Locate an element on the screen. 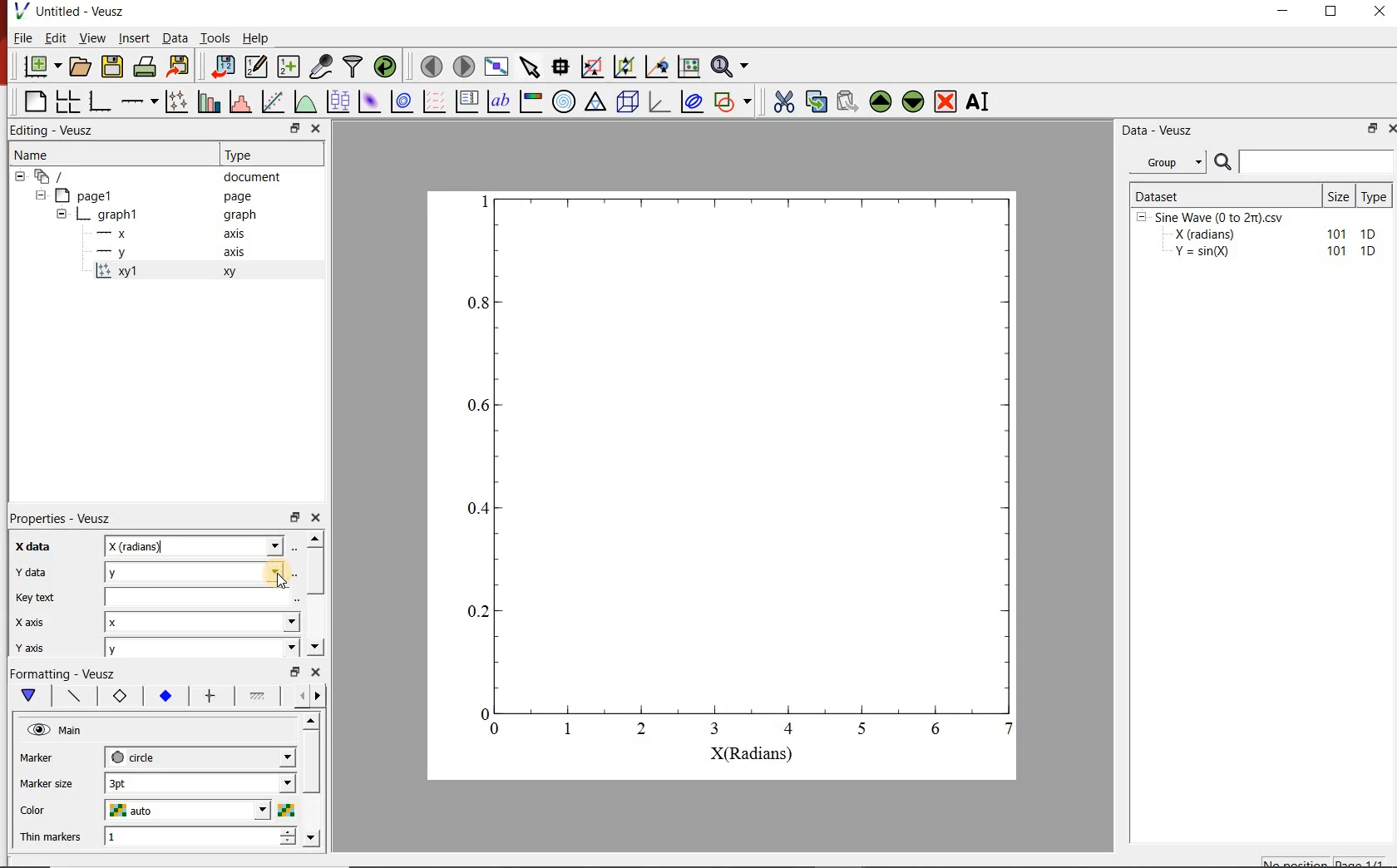  hit a function is located at coordinates (274, 101).